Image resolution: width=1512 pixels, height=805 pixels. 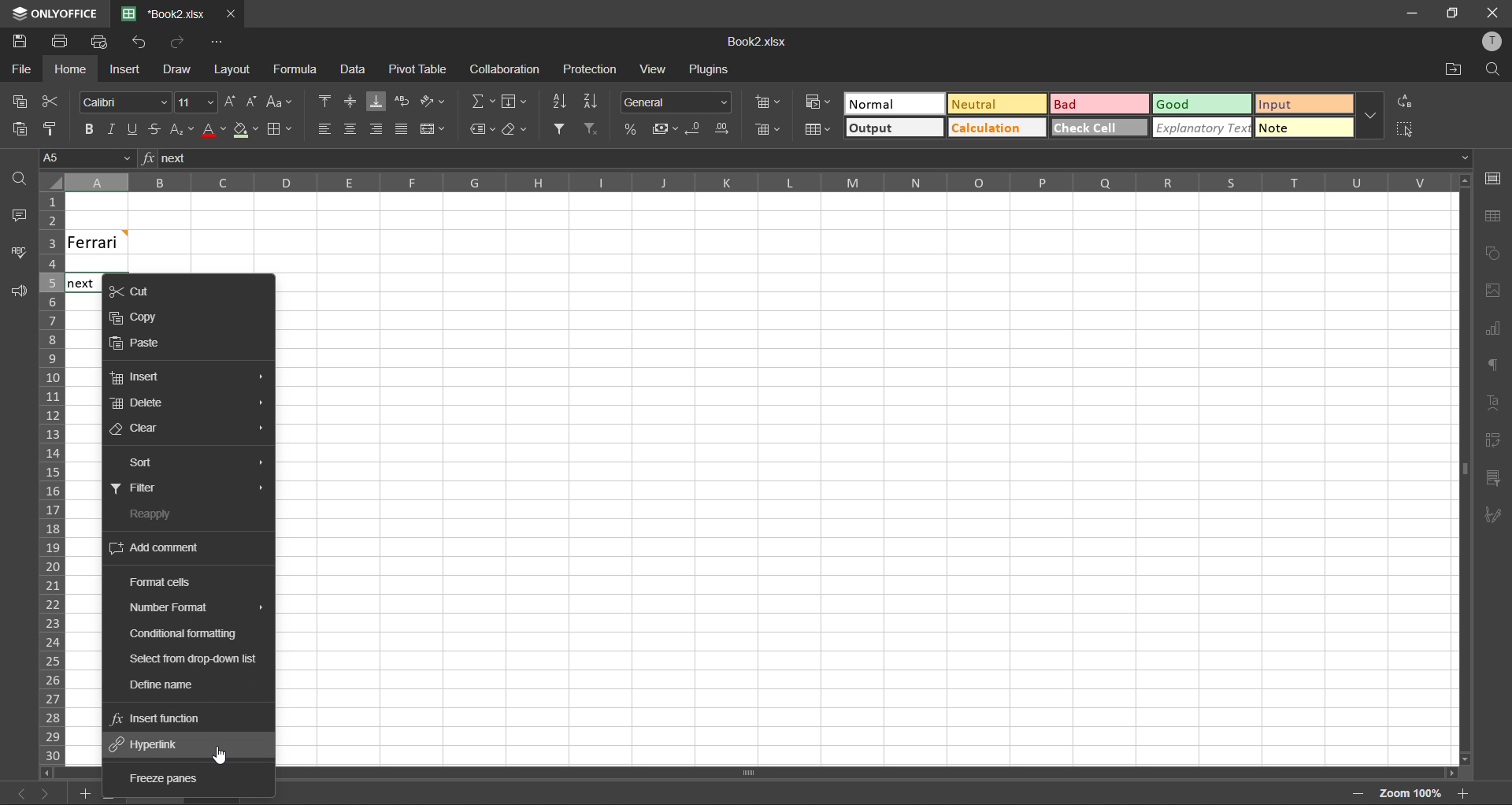 What do you see at coordinates (327, 102) in the screenshot?
I see `align top` at bounding box center [327, 102].